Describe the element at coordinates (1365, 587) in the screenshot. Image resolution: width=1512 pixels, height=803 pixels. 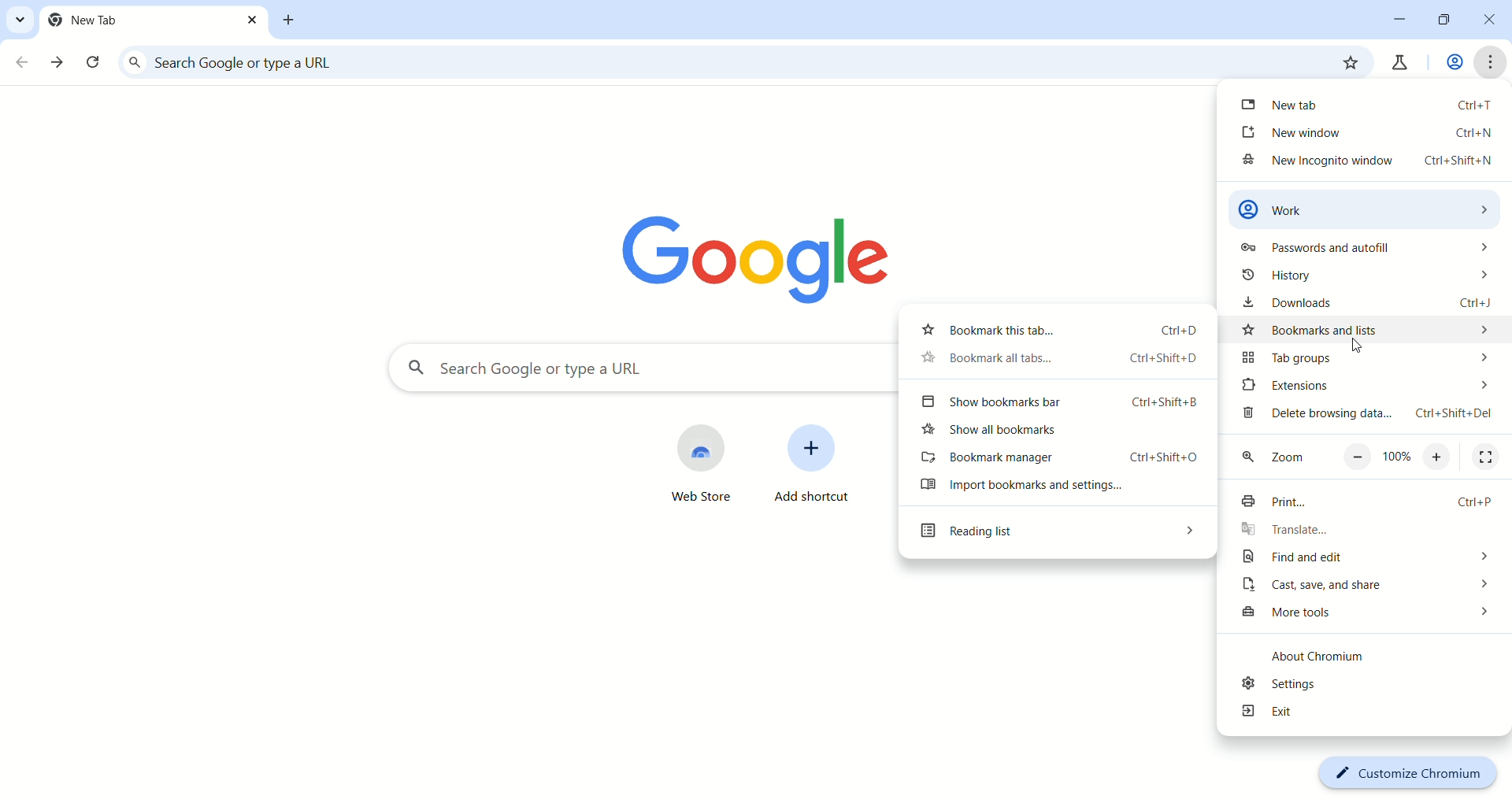
I see `cast, save and share` at that location.